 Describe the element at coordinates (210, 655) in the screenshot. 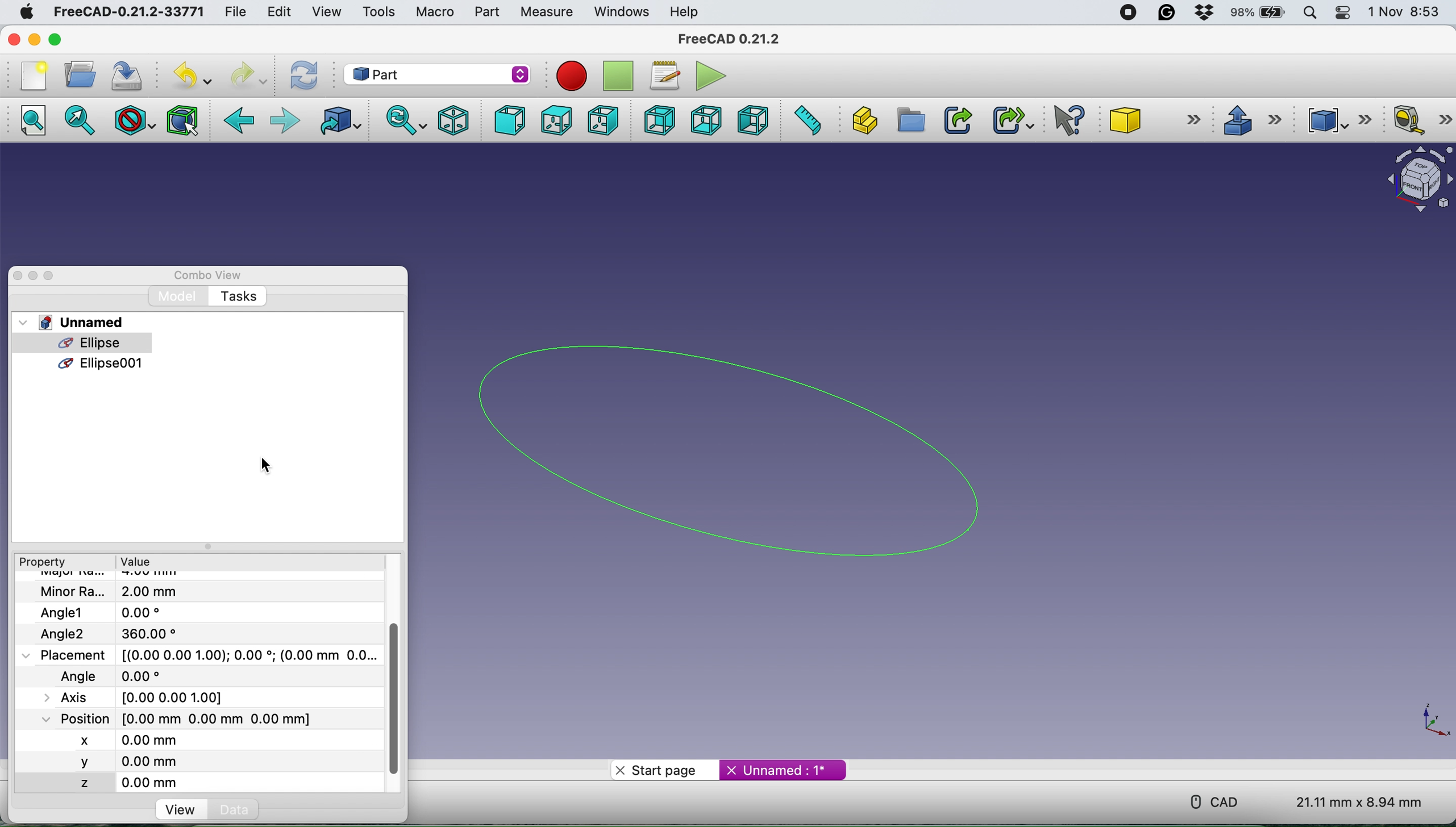

I see `placement` at that location.